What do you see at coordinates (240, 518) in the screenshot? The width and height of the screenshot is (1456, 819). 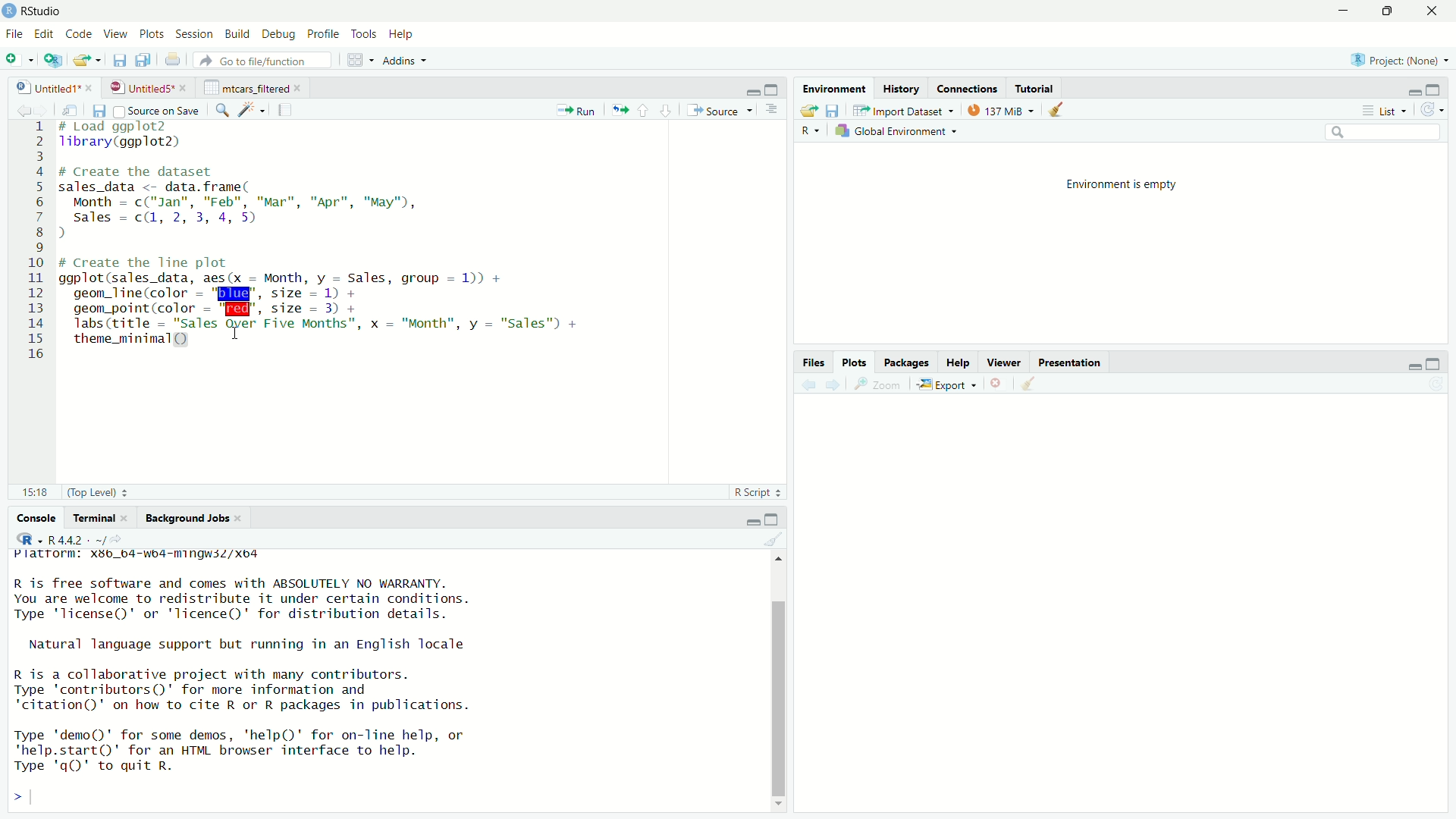 I see `close` at bounding box center [240, 518].